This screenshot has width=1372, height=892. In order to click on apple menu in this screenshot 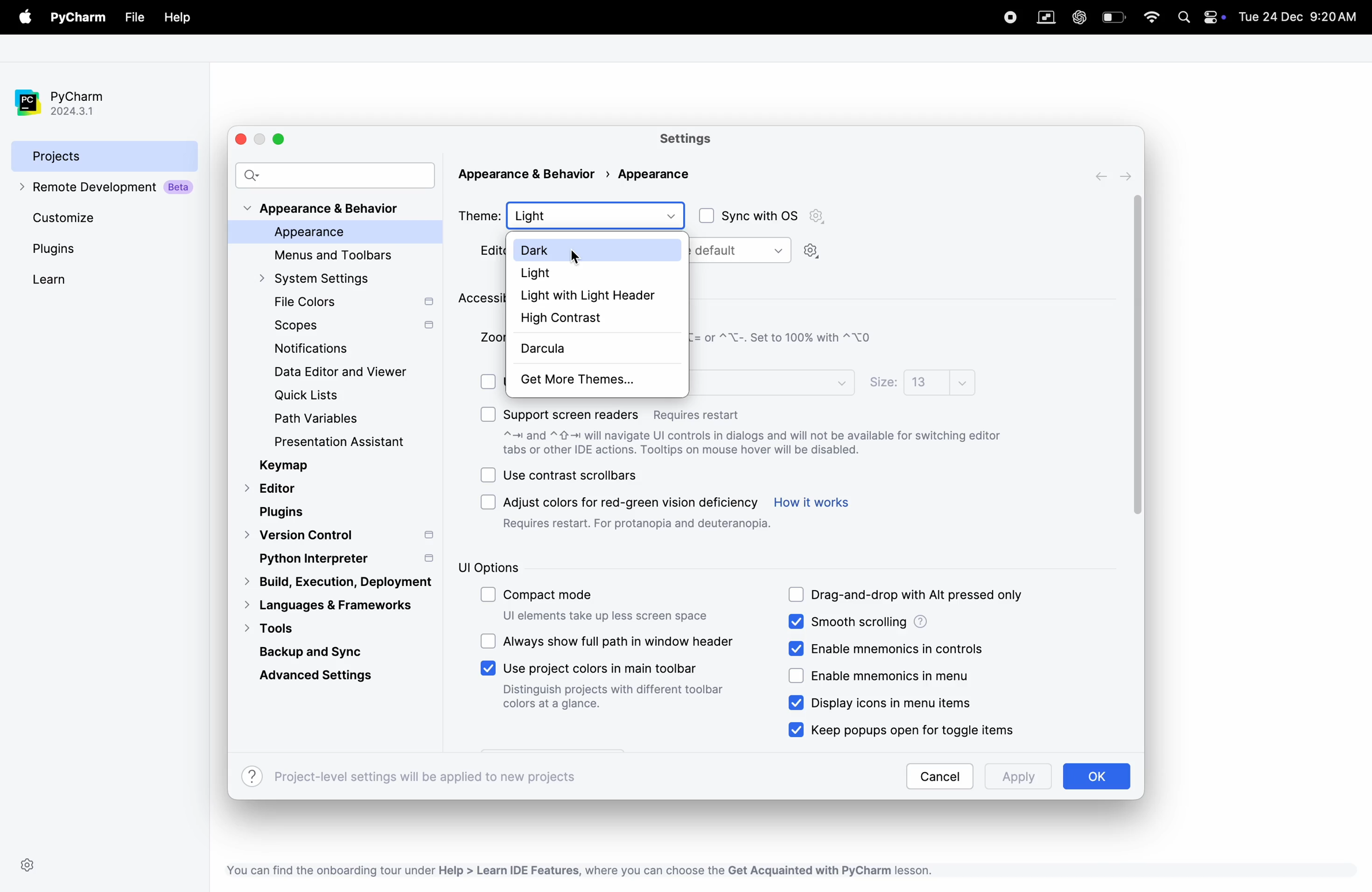, I will do `click(27, 18)`.